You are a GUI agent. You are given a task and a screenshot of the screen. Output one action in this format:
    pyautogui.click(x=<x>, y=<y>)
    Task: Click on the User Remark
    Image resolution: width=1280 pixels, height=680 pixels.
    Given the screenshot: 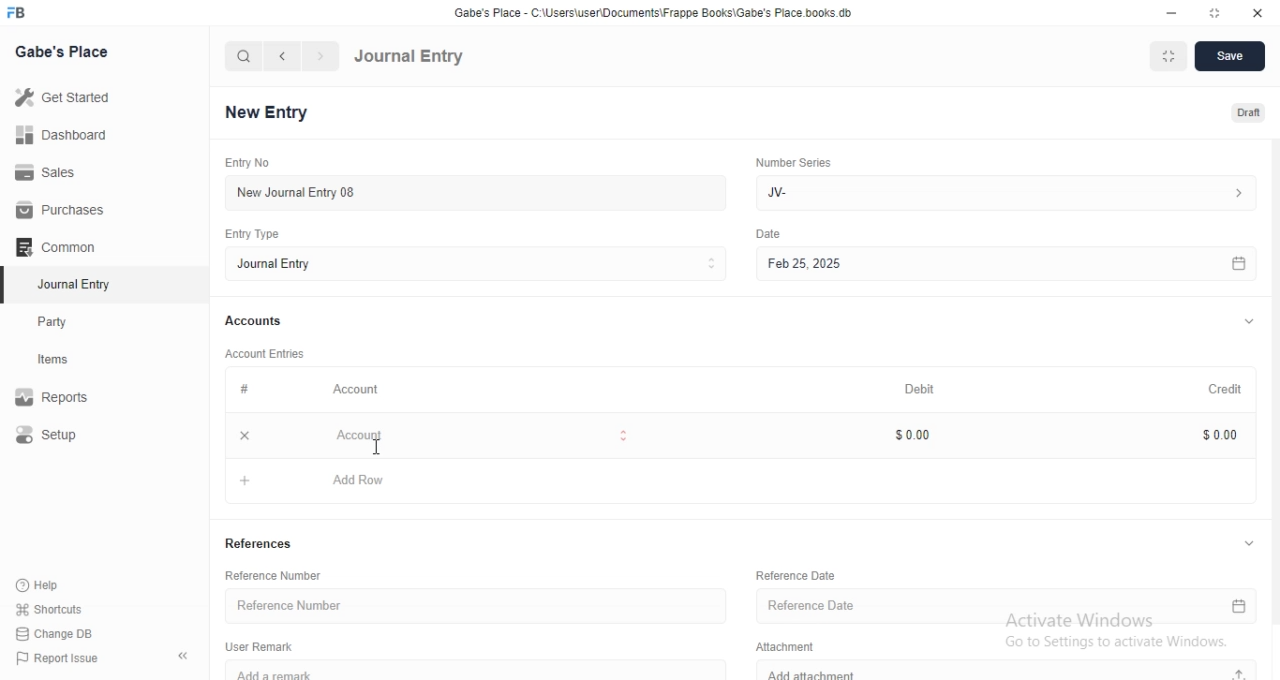 What is the action you would take?
    pyautogui.click(x=259, y=646)
    